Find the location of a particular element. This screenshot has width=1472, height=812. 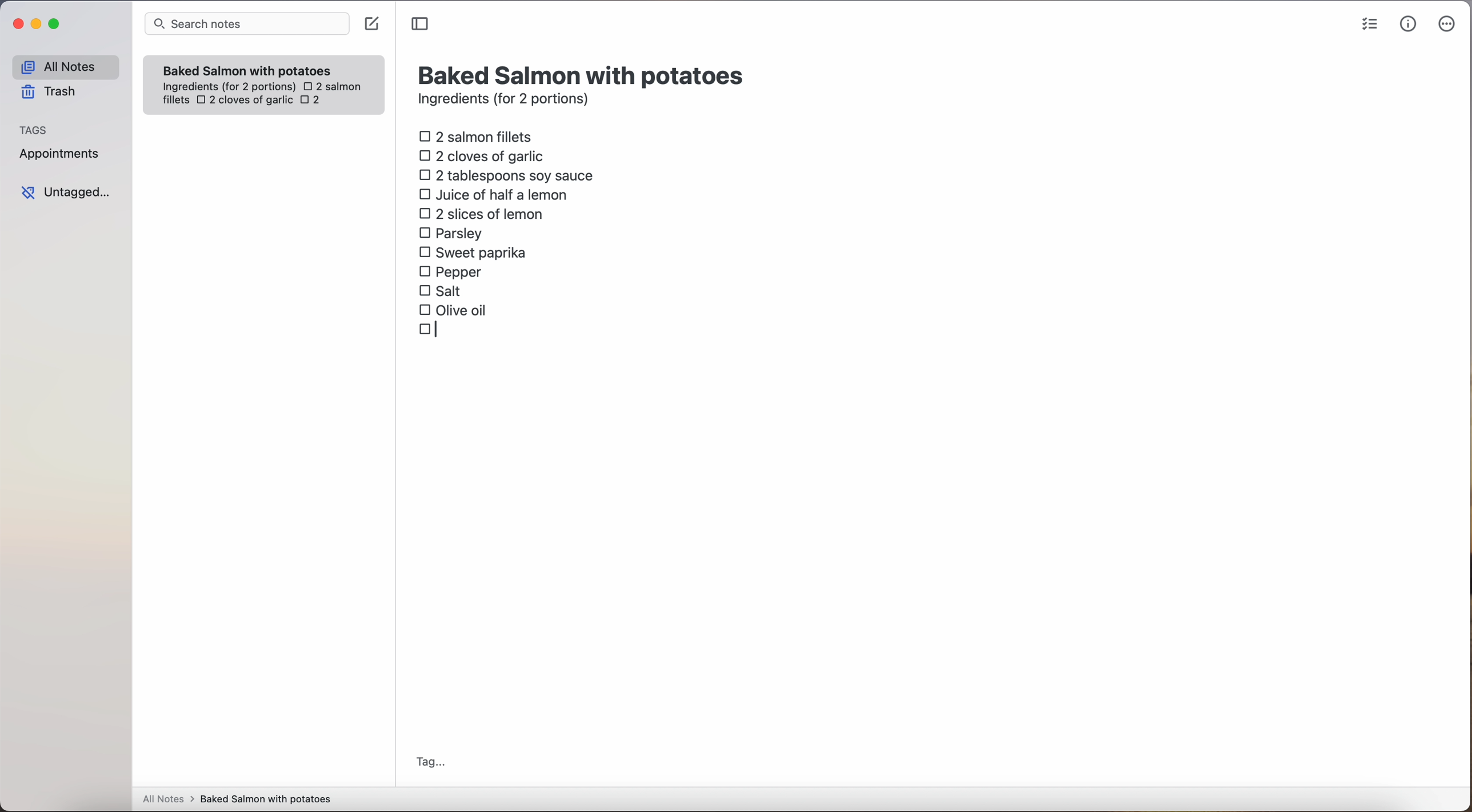

parsley is located at coordinates (451, 232).